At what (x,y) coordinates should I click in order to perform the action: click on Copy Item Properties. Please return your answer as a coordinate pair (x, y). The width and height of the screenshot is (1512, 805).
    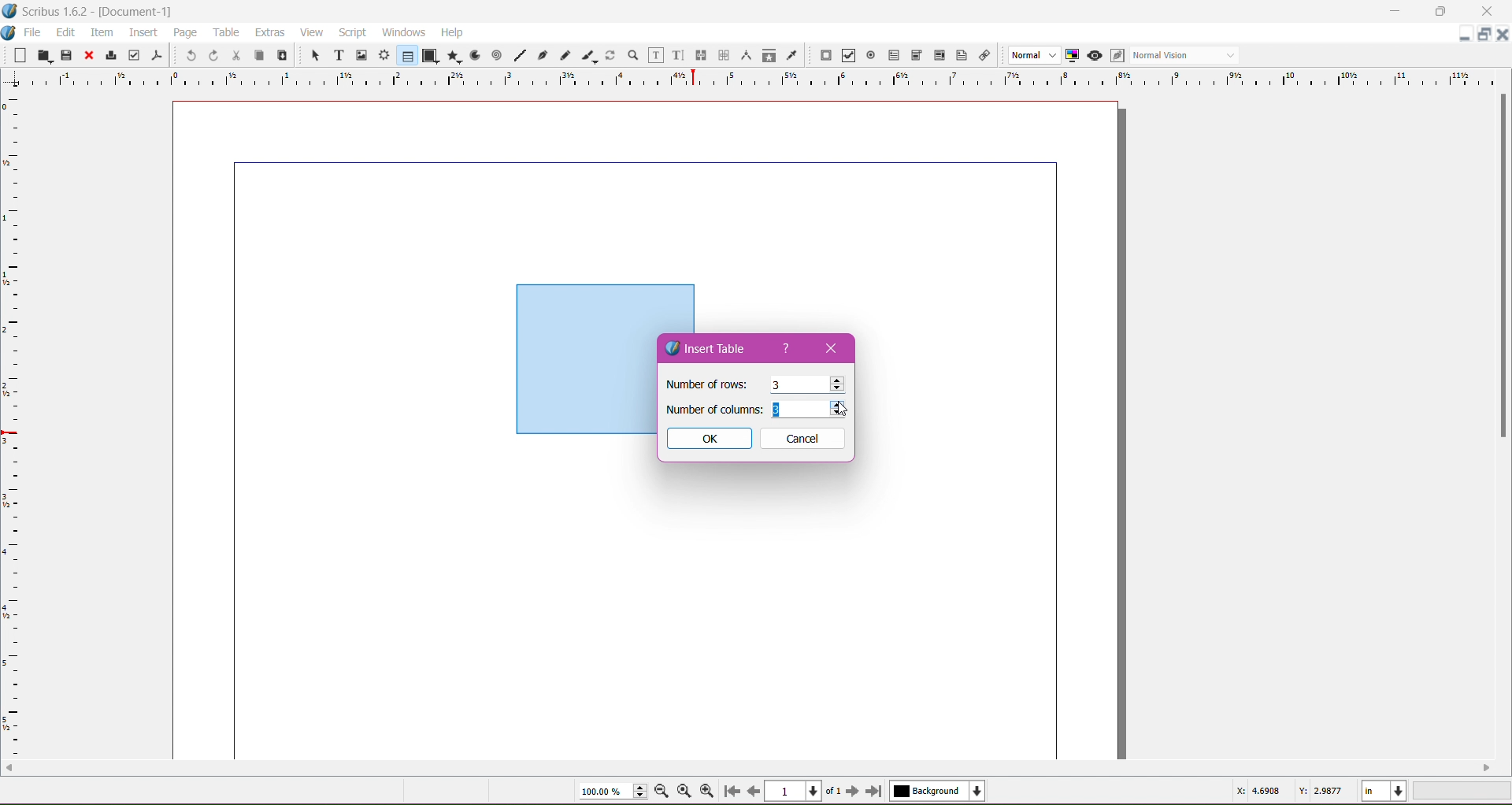
    Looking at the image, I should click on (769, 54).